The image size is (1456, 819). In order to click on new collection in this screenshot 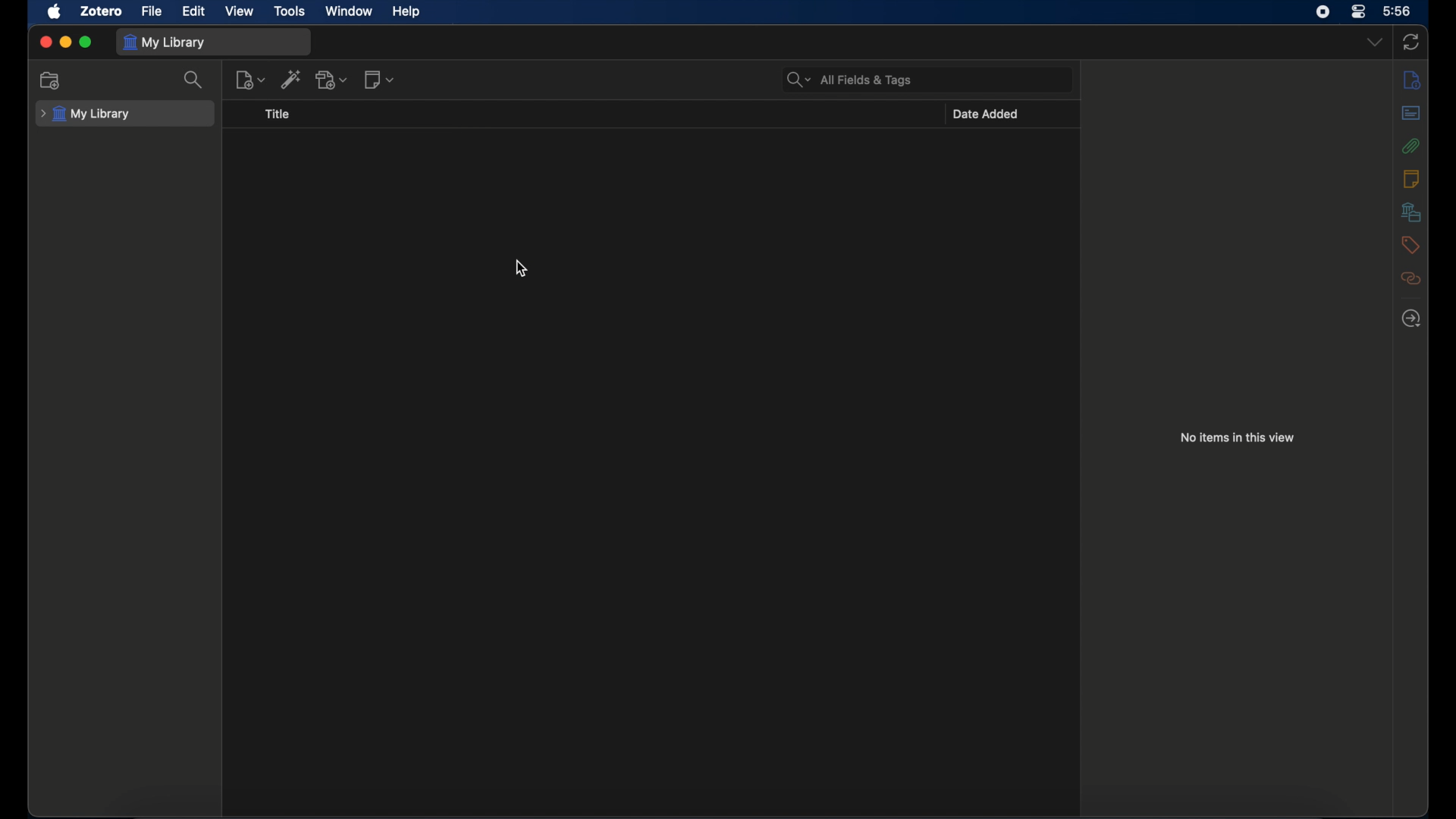, I will do `click(51, 81)`.